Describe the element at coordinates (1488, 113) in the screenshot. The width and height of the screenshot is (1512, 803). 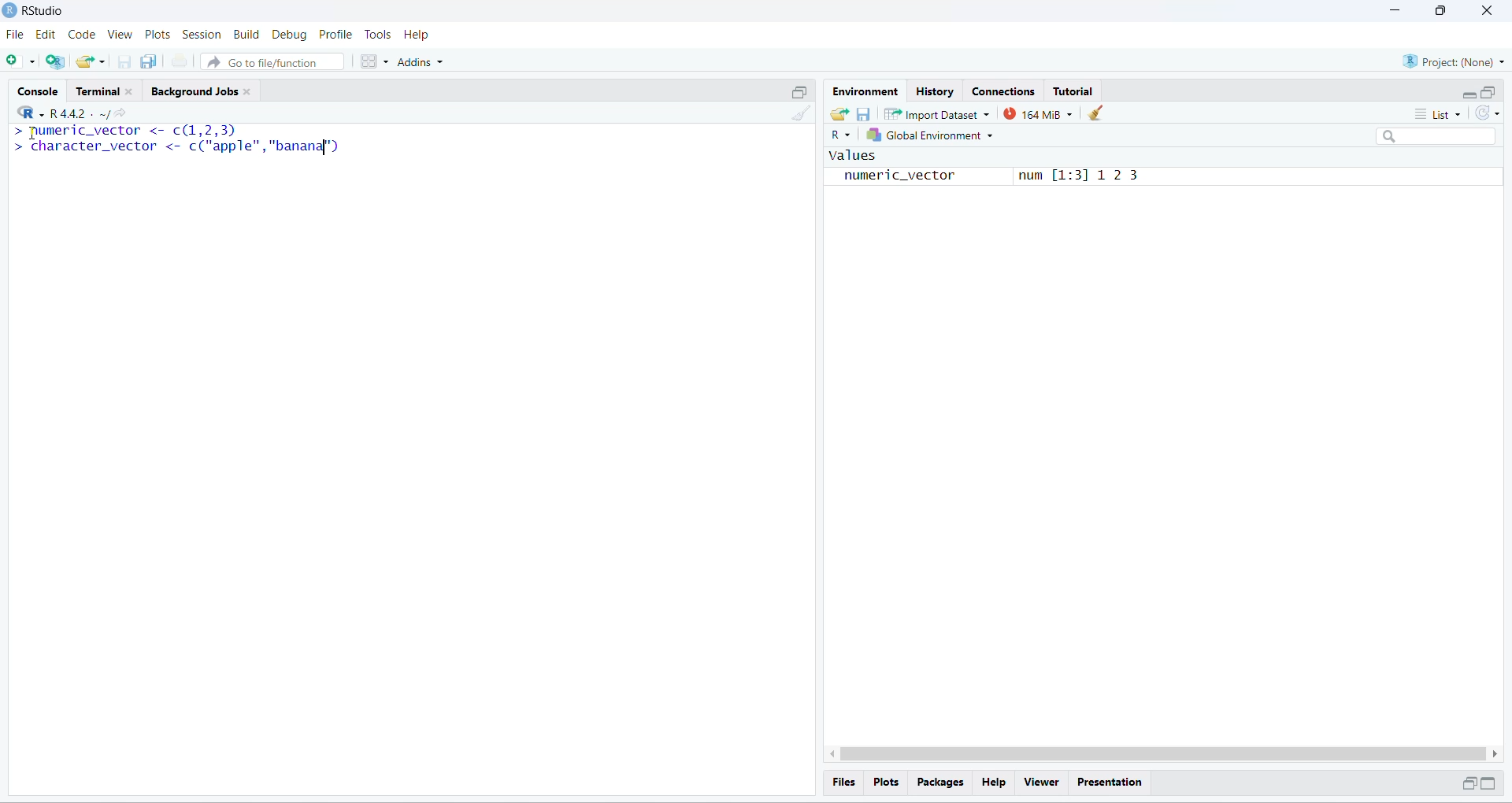
I see `refresh` at that location.